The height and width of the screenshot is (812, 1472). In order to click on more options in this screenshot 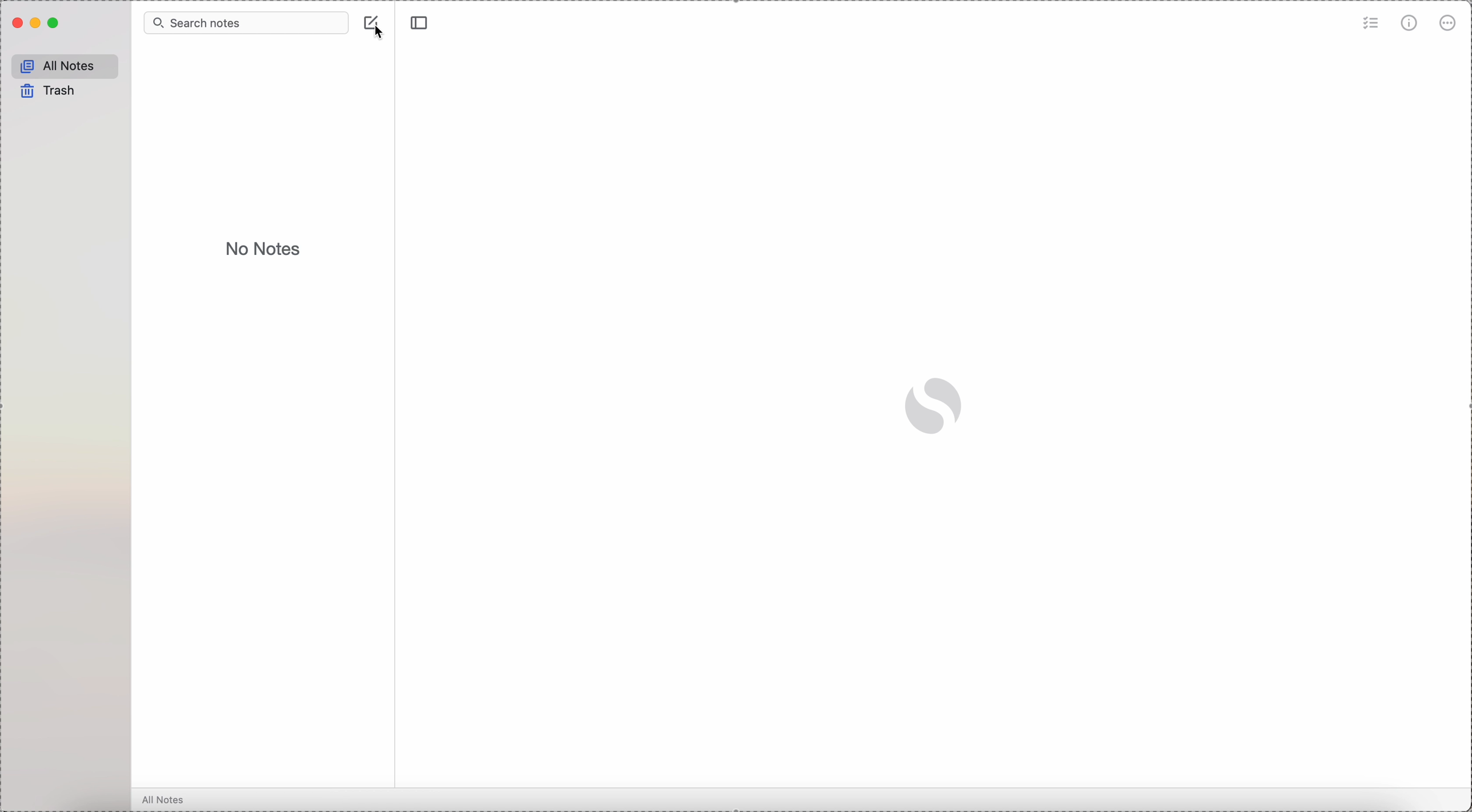, I will do `click(1449, 24)`.